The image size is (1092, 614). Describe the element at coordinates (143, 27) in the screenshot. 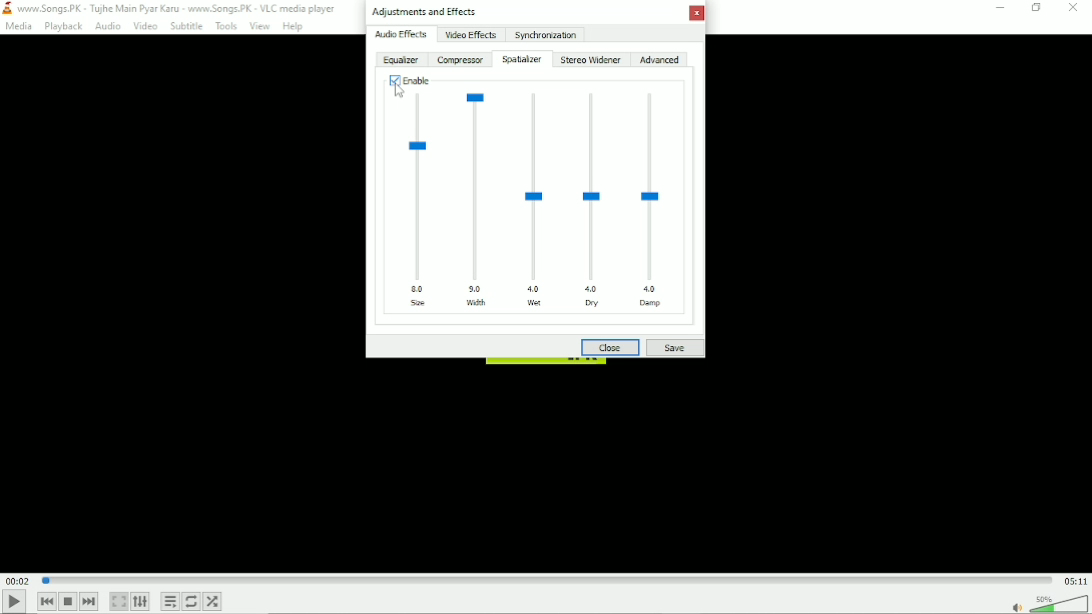

I see `Video` at that location.